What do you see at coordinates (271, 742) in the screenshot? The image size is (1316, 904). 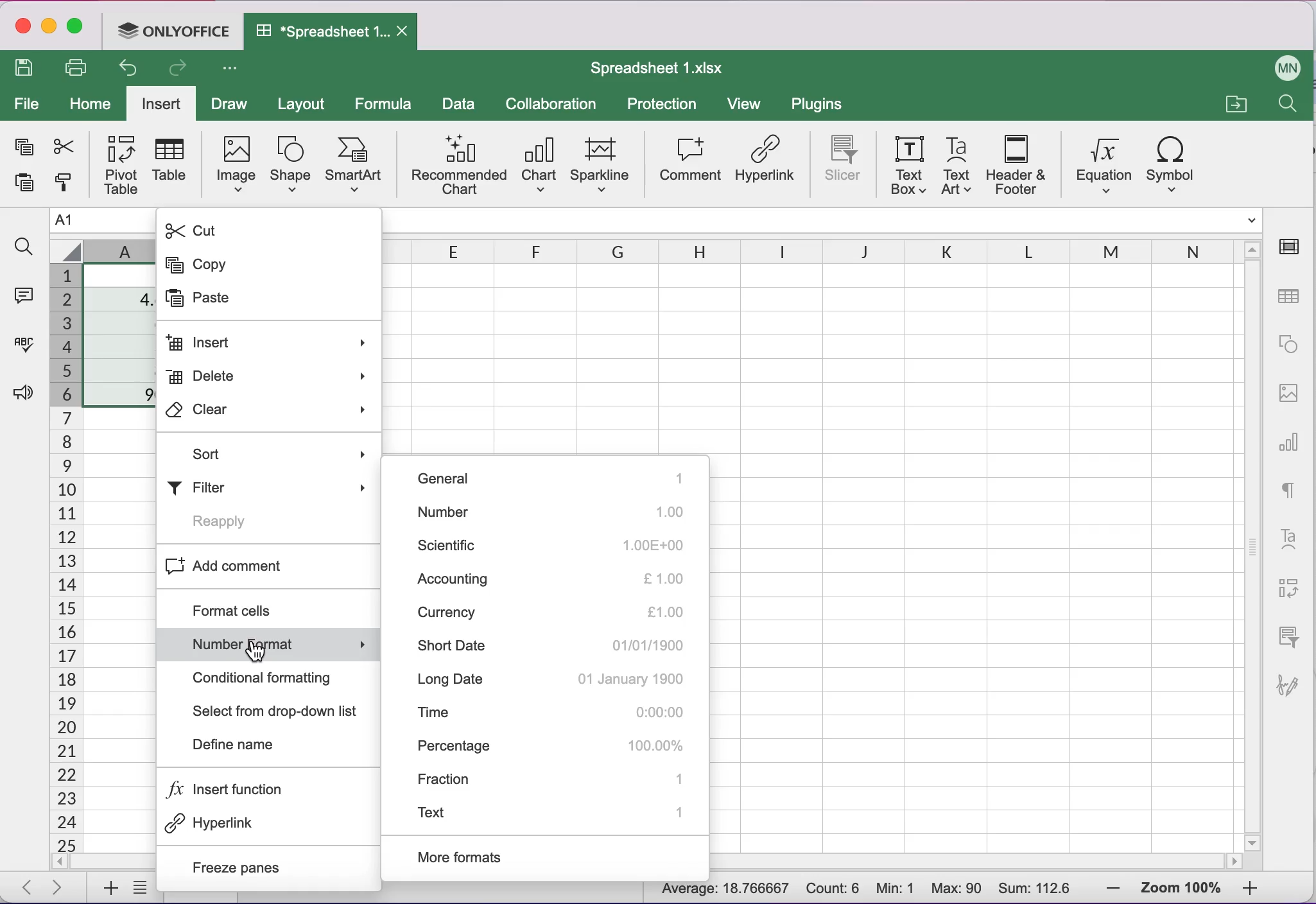 I see `Define name` at bounding box center [271, 742].